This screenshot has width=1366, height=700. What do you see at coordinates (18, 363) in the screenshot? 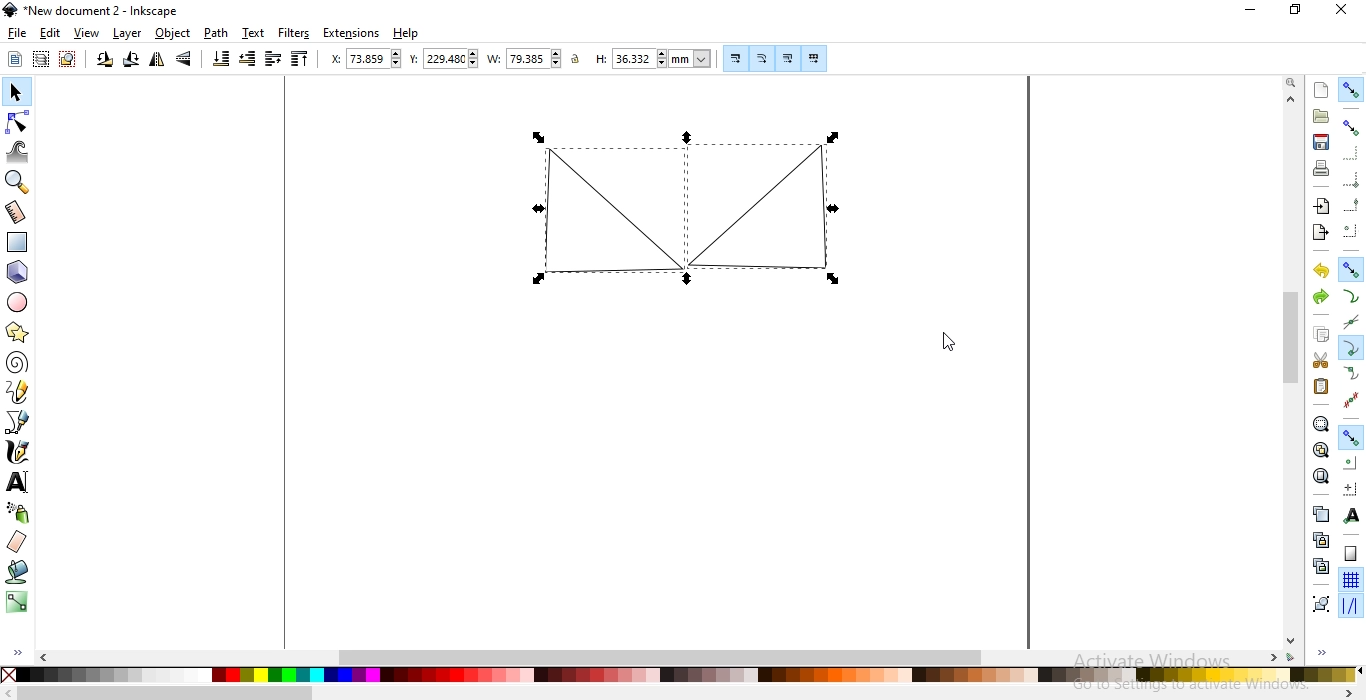
I see `create spirals` at bounding box center [18, 363].